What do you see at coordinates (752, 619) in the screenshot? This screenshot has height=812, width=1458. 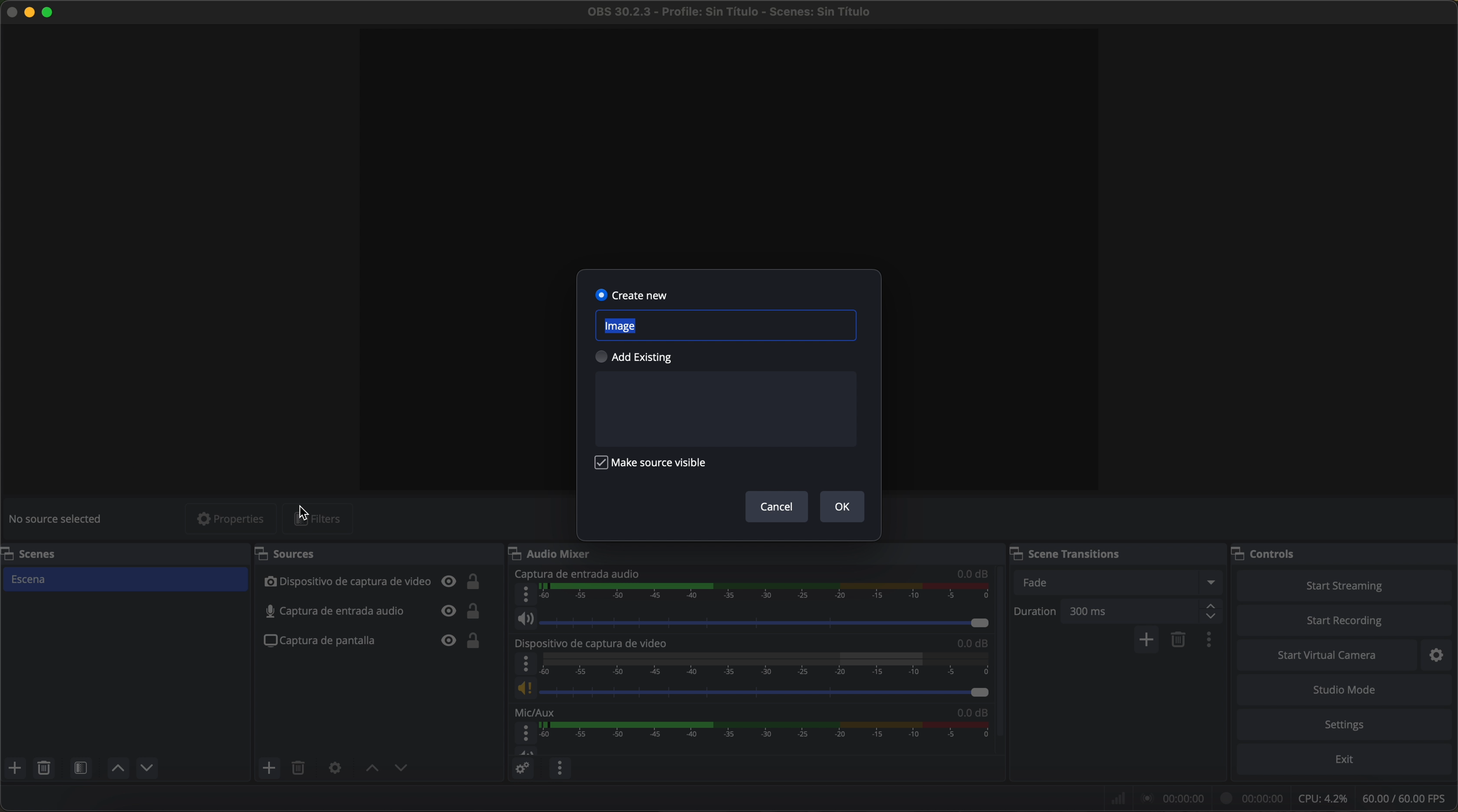 I see `vol` at bounding box center [752, 619].